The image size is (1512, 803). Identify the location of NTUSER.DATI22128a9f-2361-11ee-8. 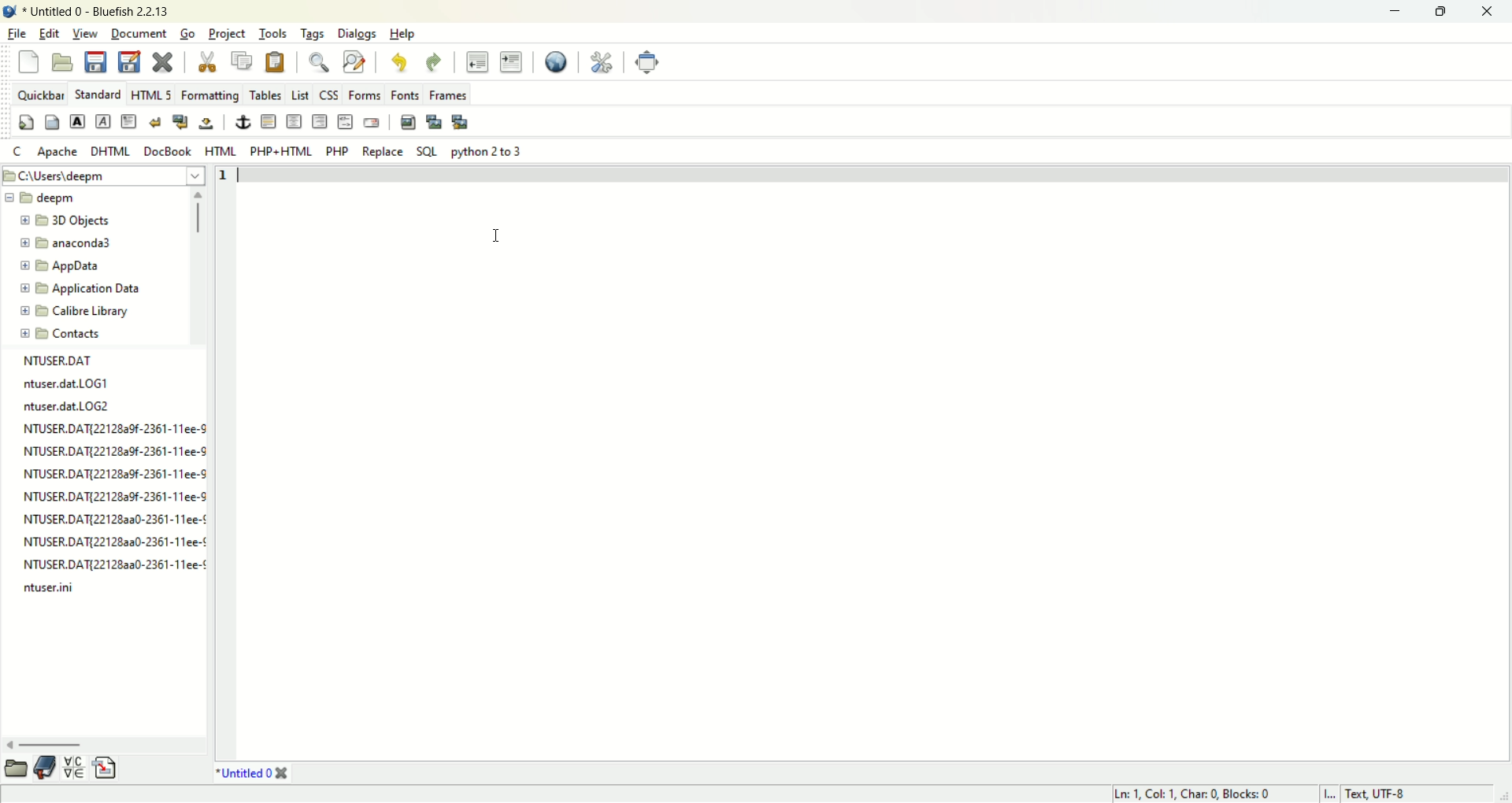
(113, 494).